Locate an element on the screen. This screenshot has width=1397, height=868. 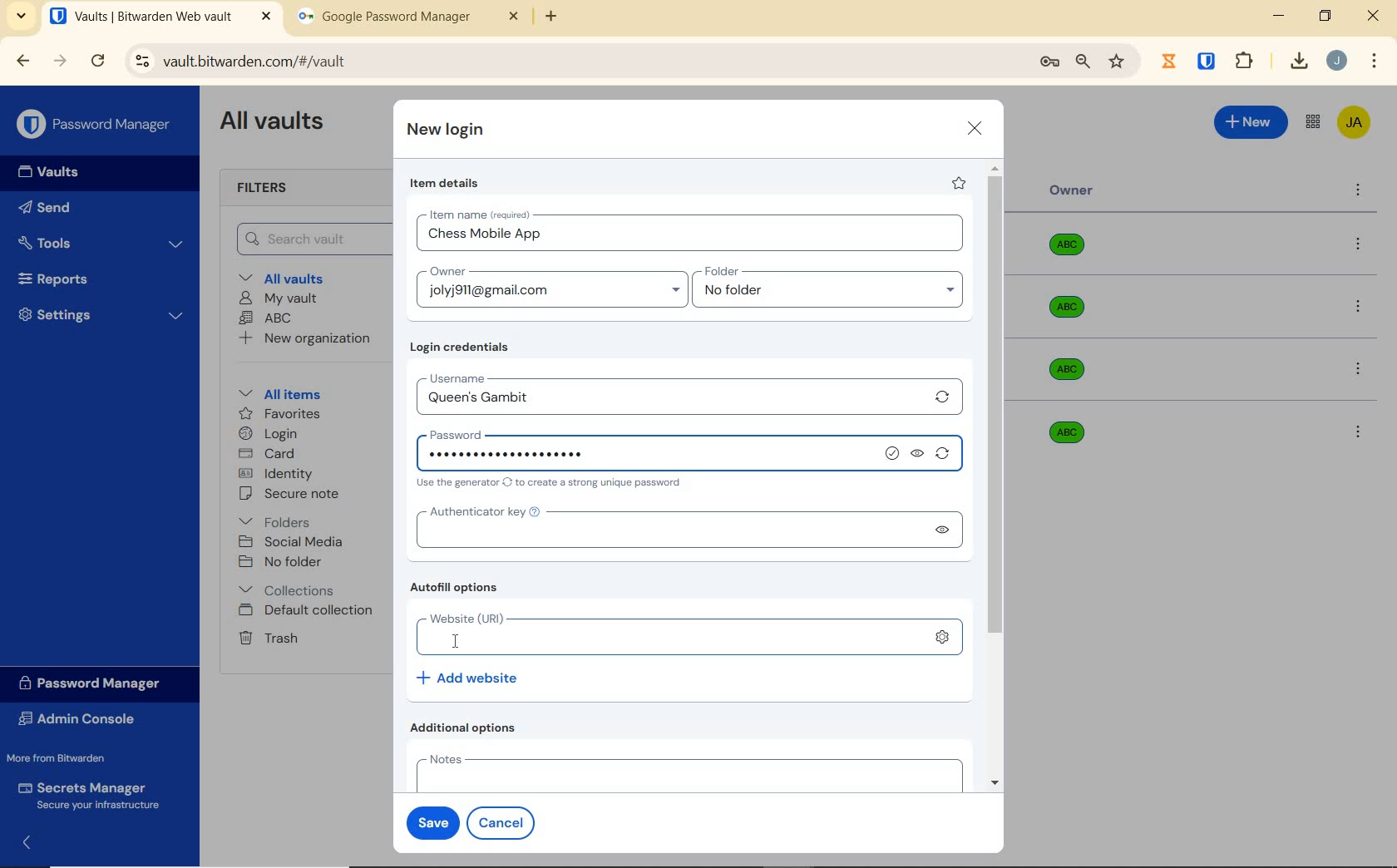
Authenticator key is located at coordinates (664, 528).